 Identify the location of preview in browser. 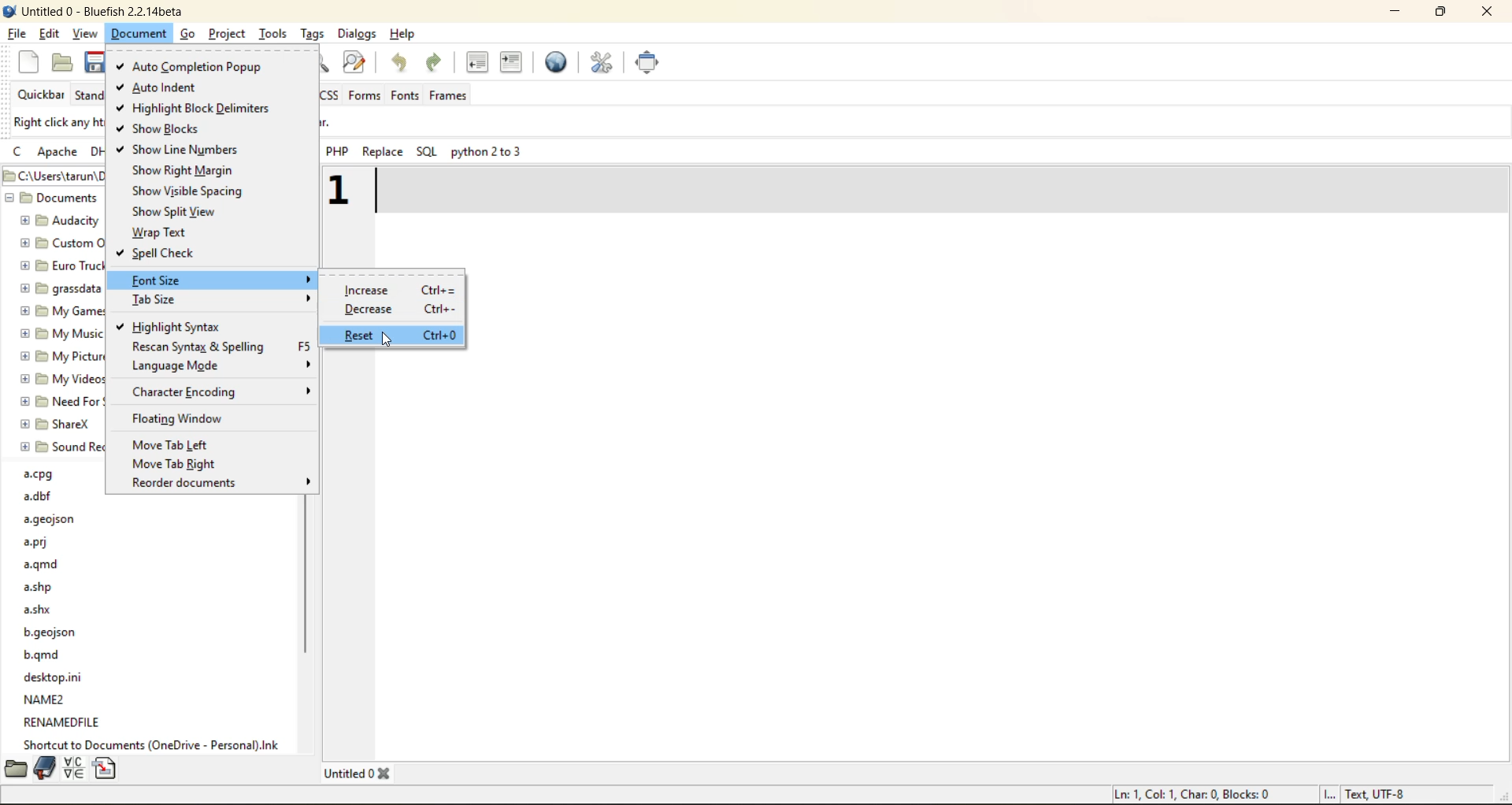
(558, 63).